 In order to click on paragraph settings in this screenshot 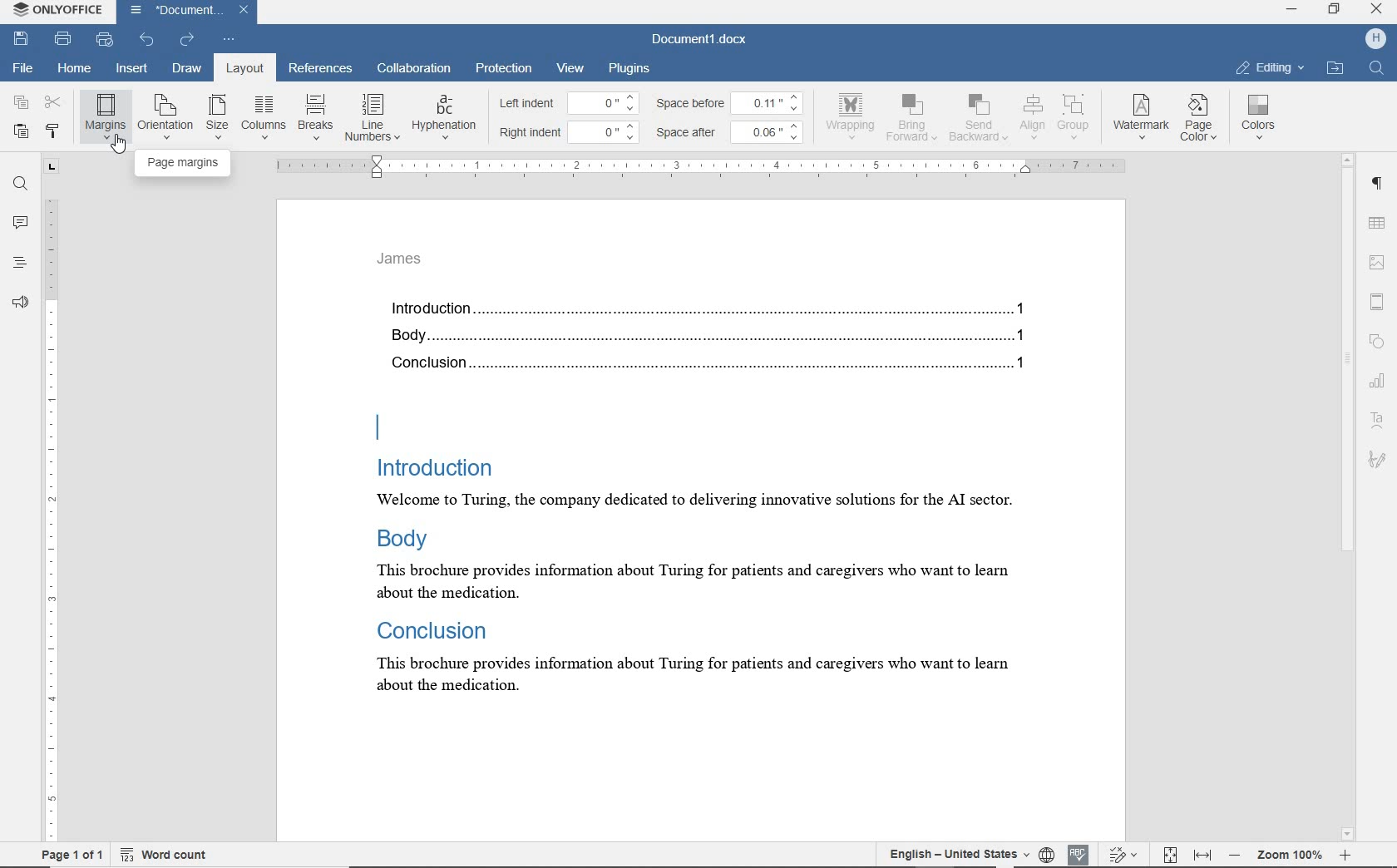, I will do `click(1380, 187)`.